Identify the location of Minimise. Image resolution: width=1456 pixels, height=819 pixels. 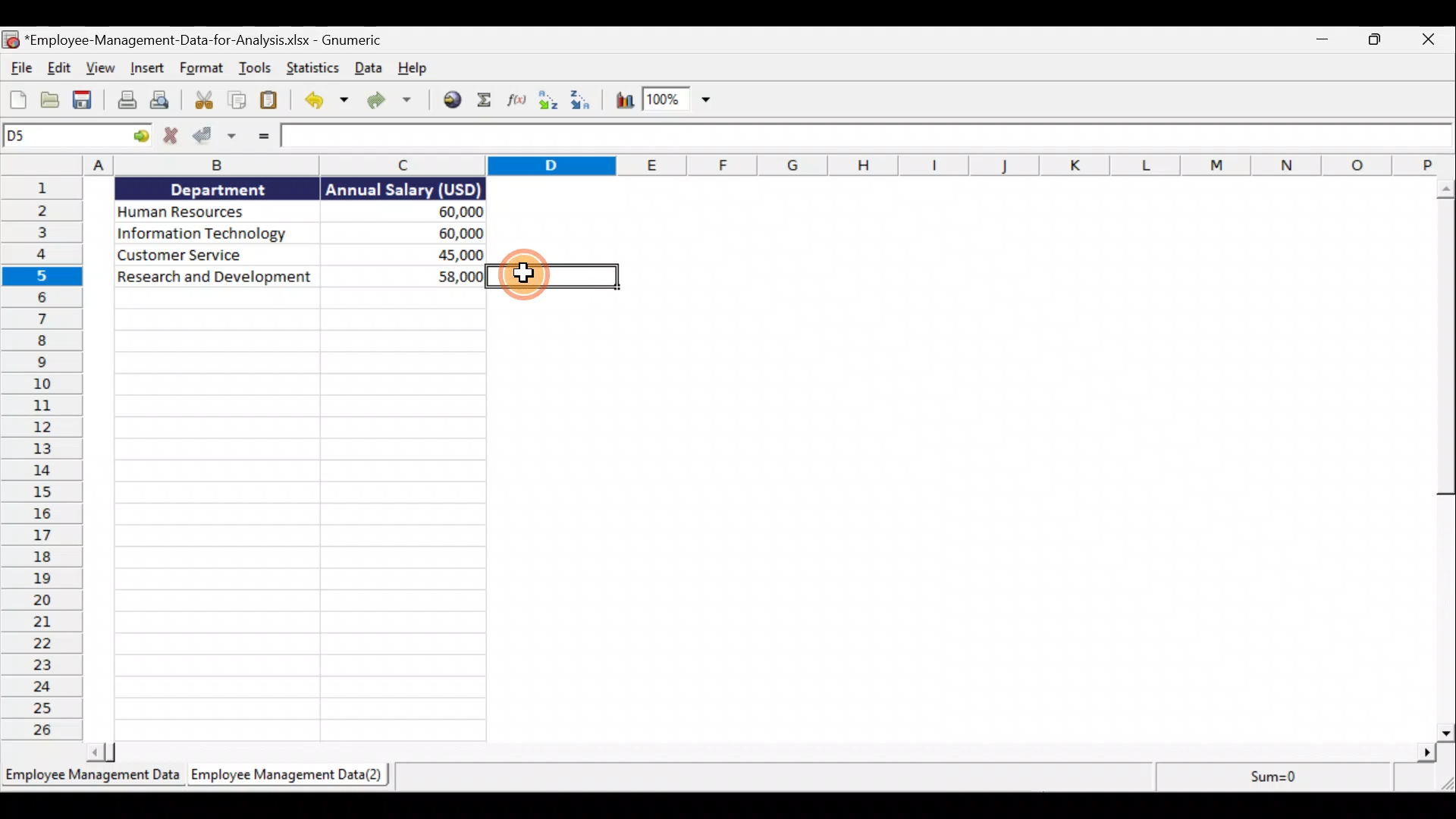
(1326, 42).